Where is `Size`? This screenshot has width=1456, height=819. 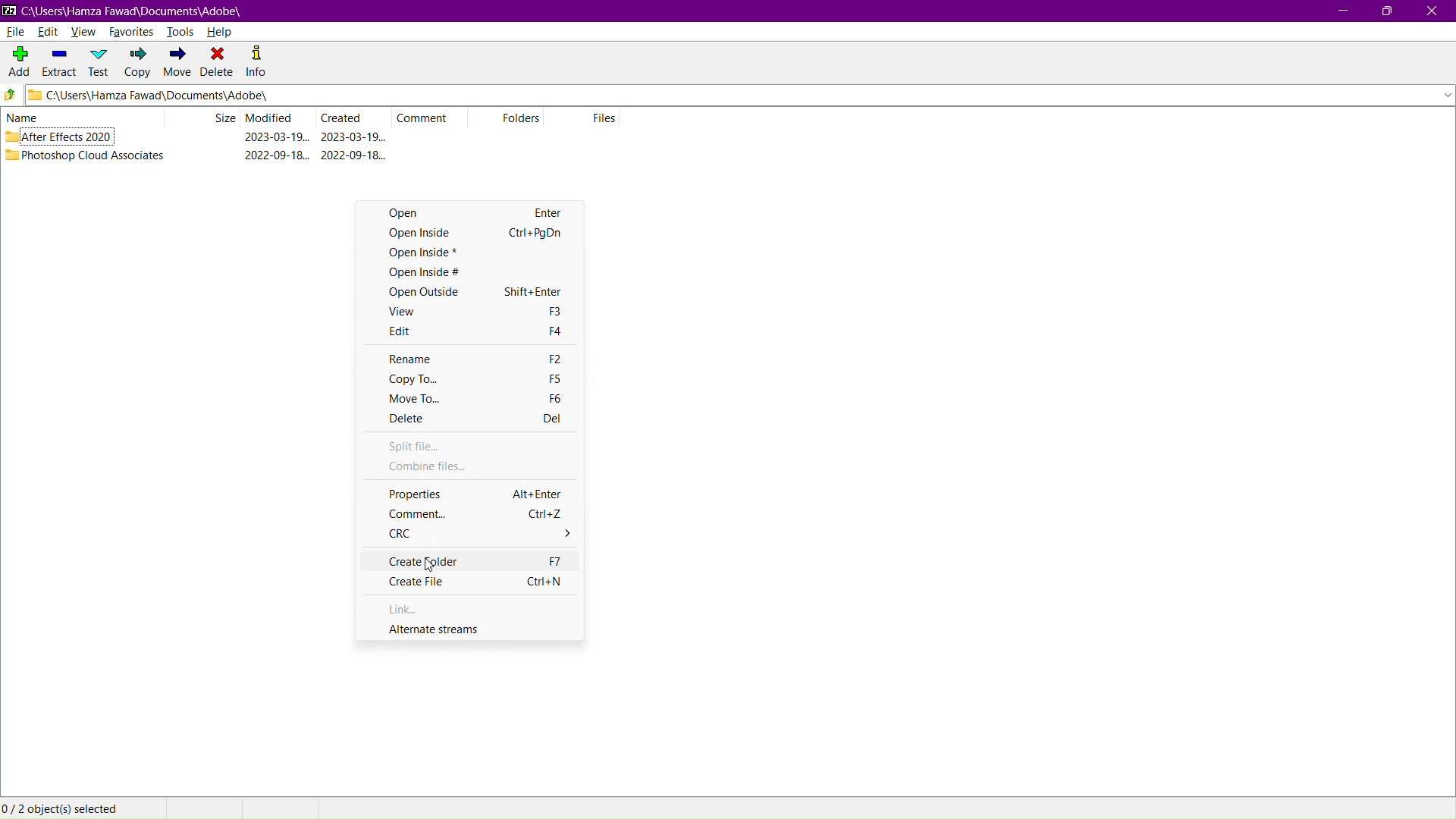 Size is located at coordinates (224, 118).